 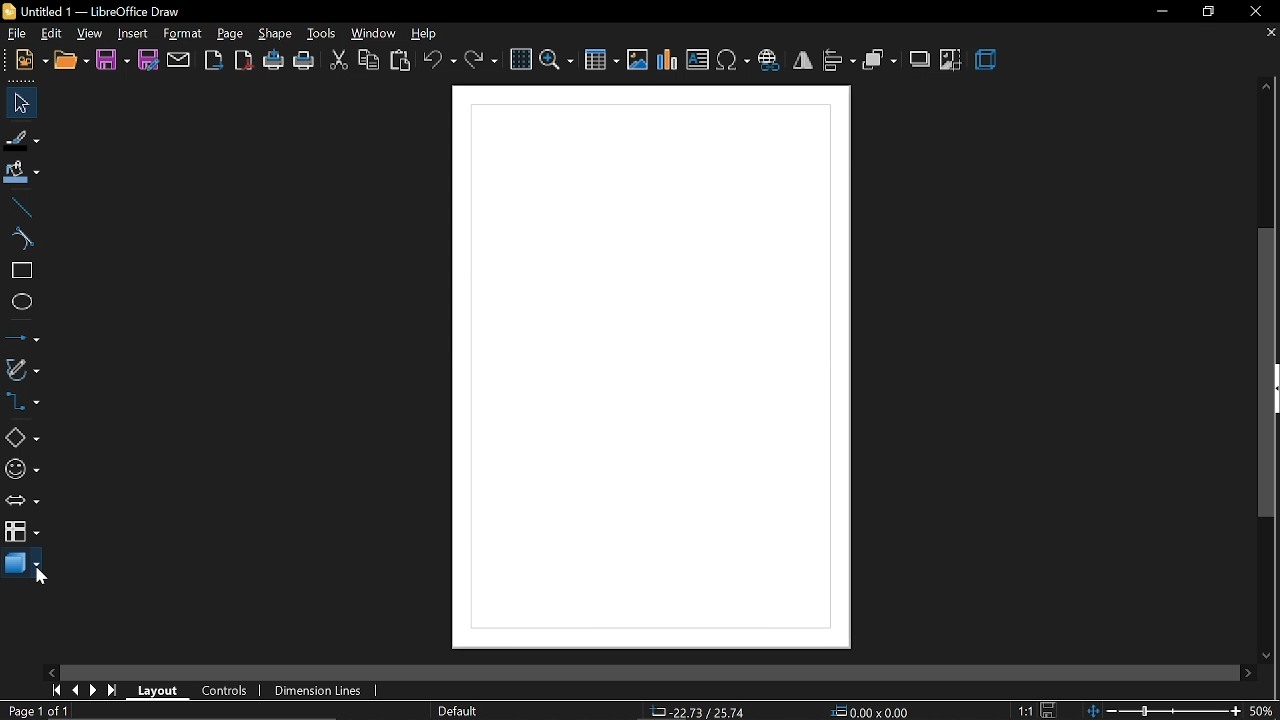 What do you see at coordinates (521, 60) in the screenshot?
I see `grid` at bounding box center [521, 60].